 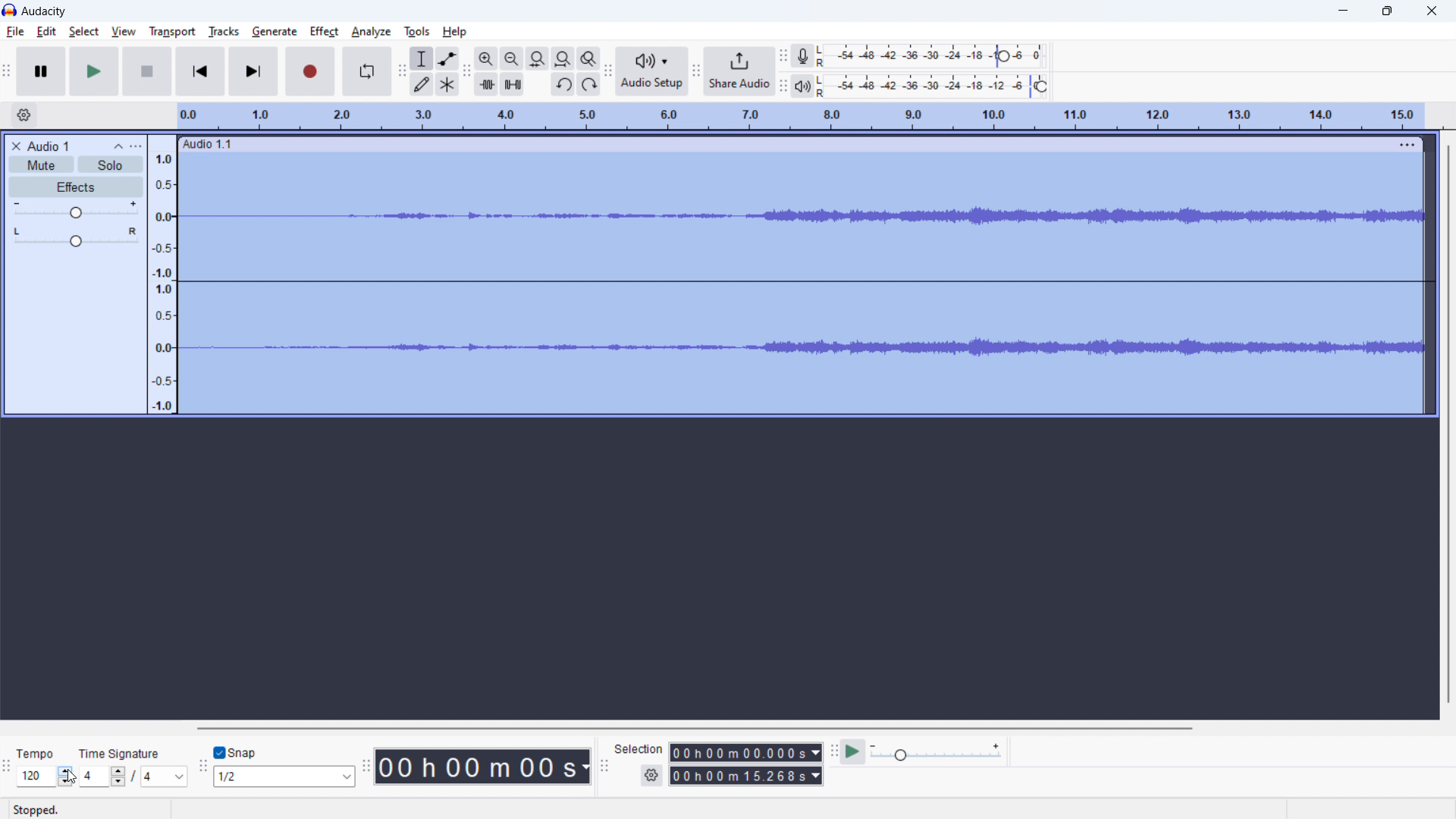 What do you see at coordinates (402, 72) in the screenshot?
I see `tools toolbar` at bounding box center [402, 72].